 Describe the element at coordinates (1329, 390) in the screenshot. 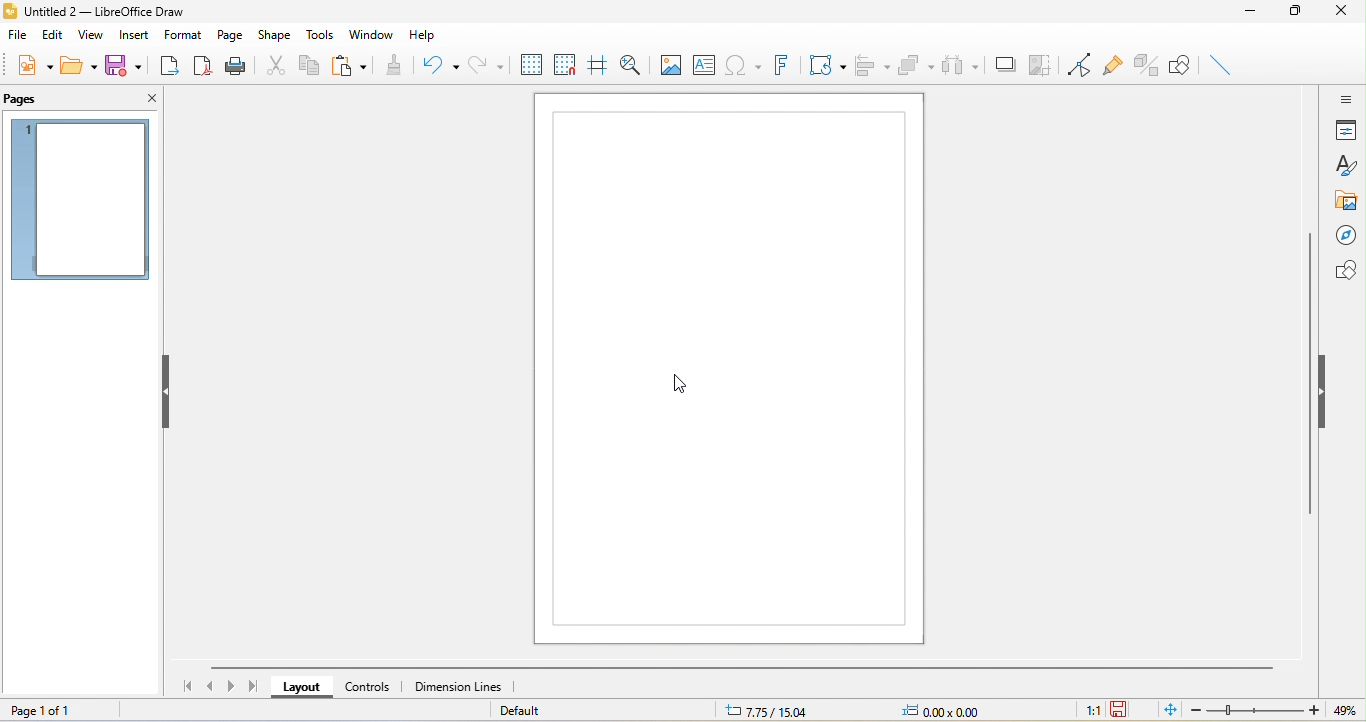

I see `hide` at that location.